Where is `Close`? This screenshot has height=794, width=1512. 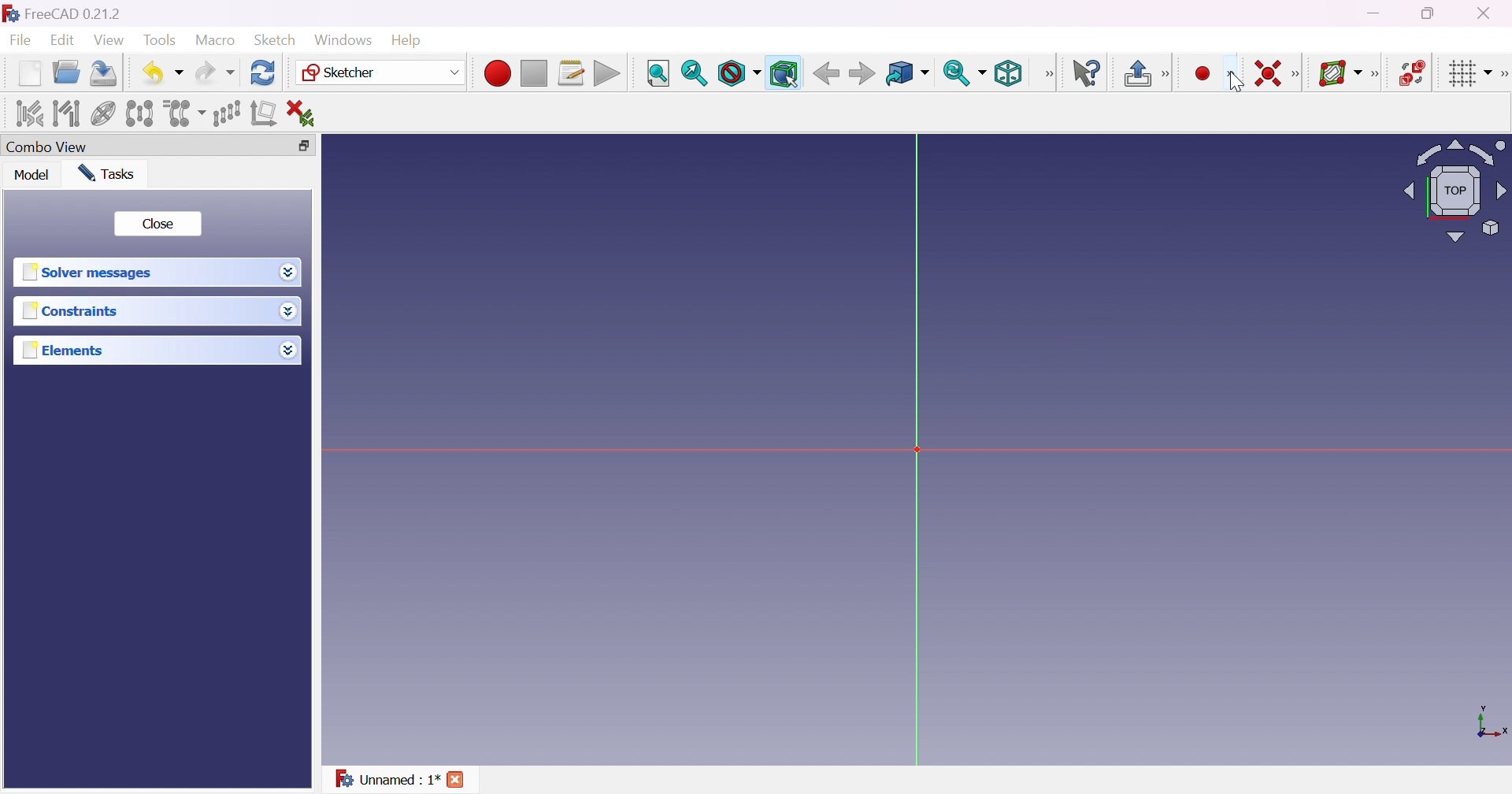
Close is located at coordinates (159, 222).